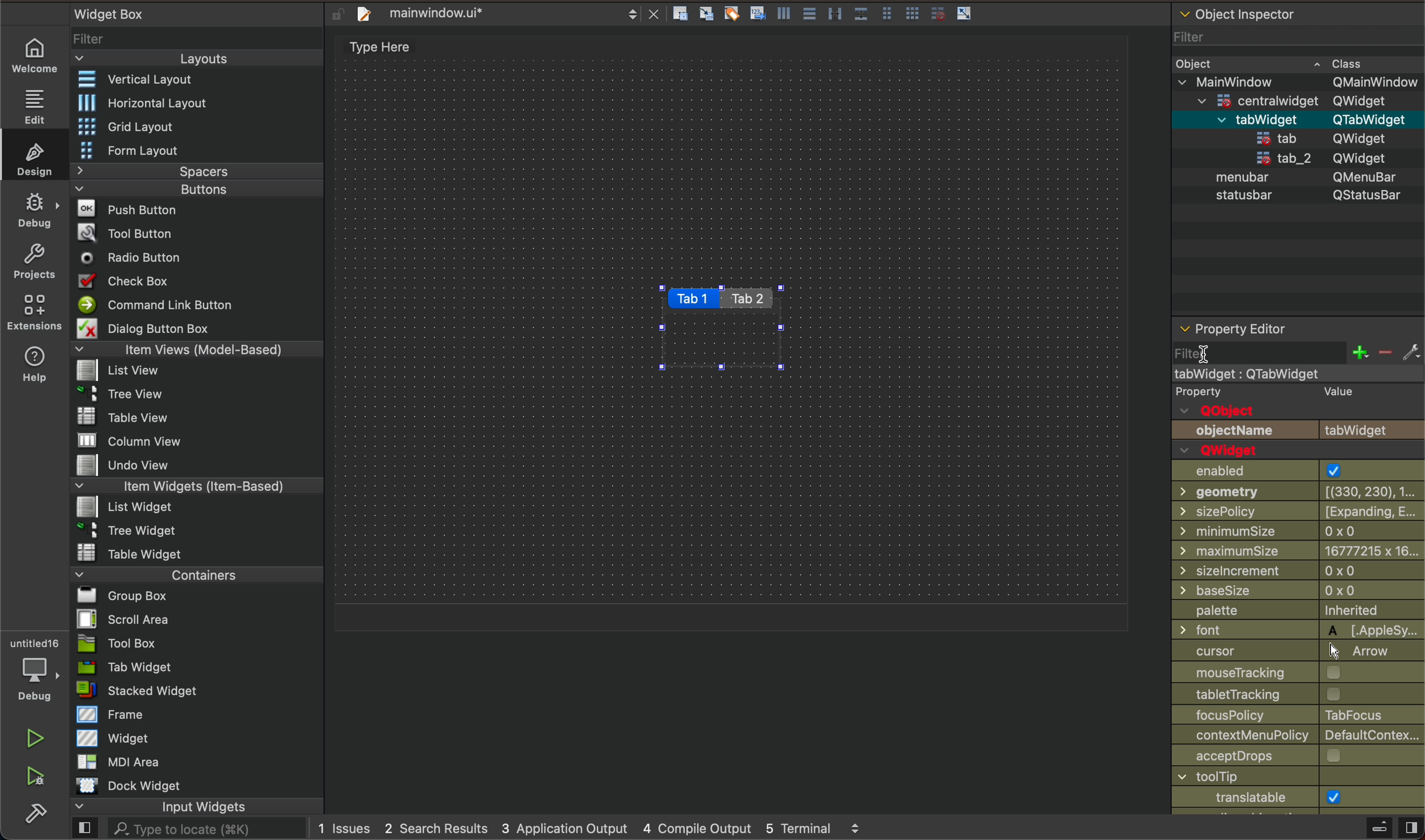 The width and height of the screenshot is (1425, 840). Describe the element at coordinates (1301, 796) in the screenshot. I see `` at that location.